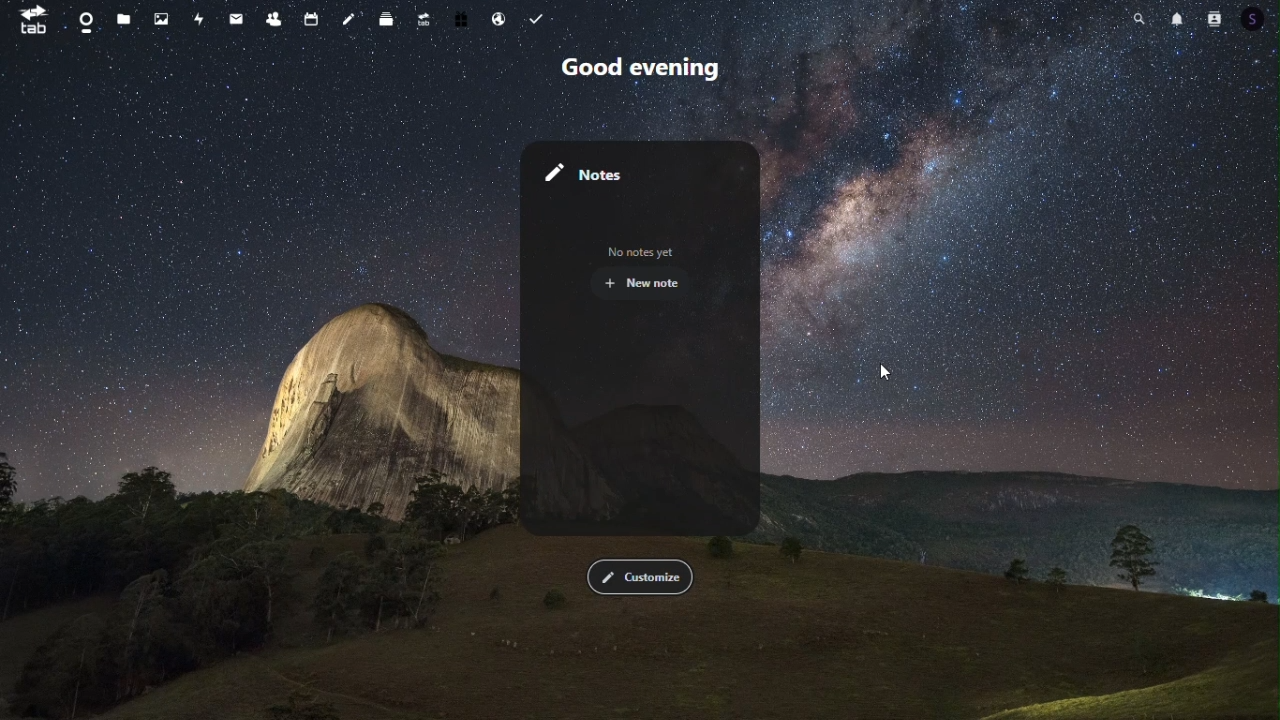 The image size is (1280, 720). What do you see at coordinates (501, 19) in the screenshot?
I see `email hosting` at bounding box center [501, 19].